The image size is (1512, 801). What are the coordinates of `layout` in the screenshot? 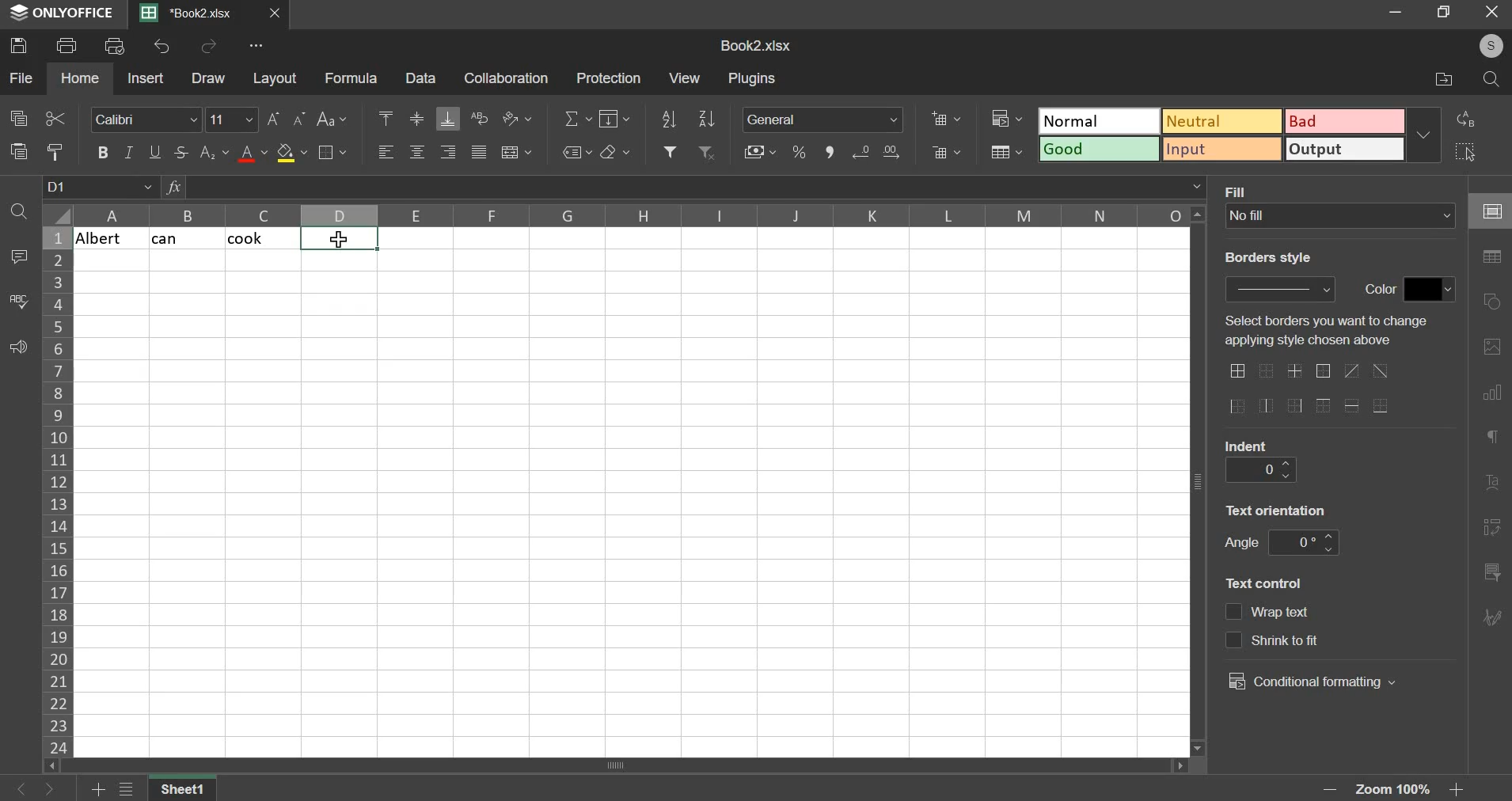 It's located at (275, 79).